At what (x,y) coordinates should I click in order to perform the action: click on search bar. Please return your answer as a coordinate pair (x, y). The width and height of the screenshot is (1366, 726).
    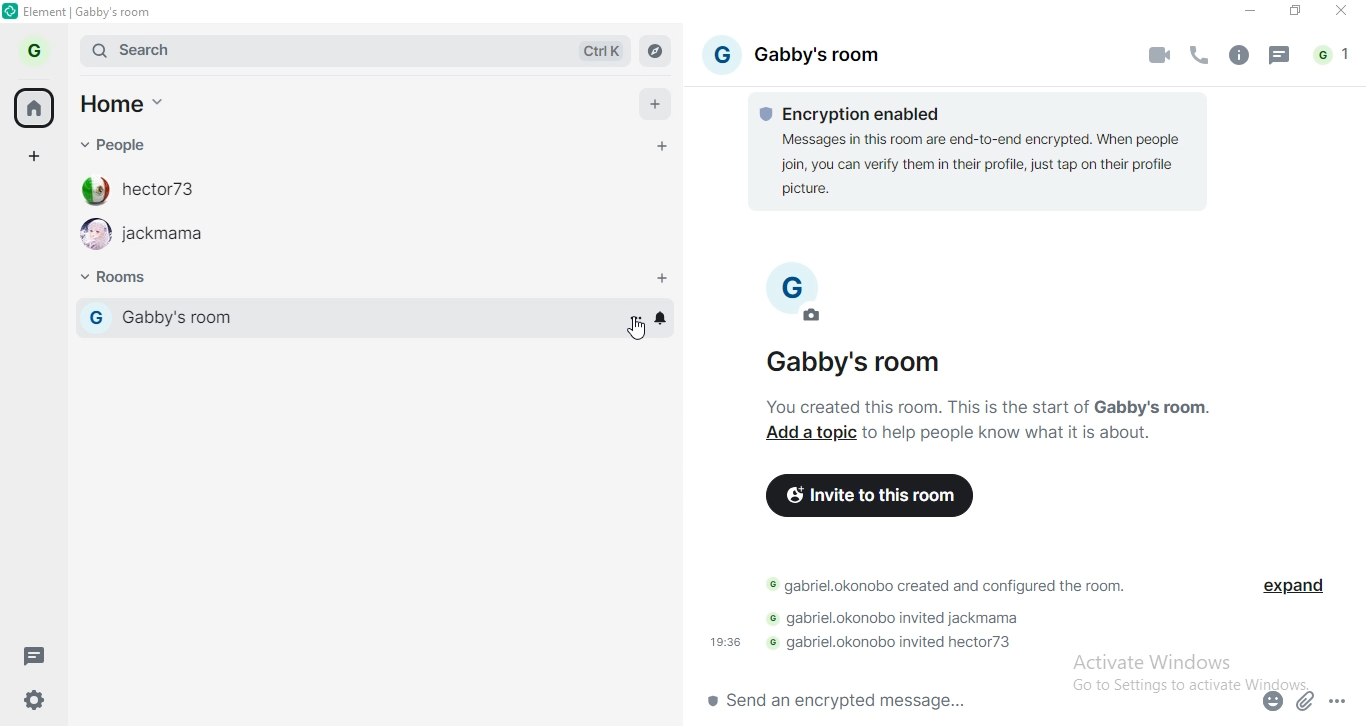
    Looking at the image, I should click on (256, 53).